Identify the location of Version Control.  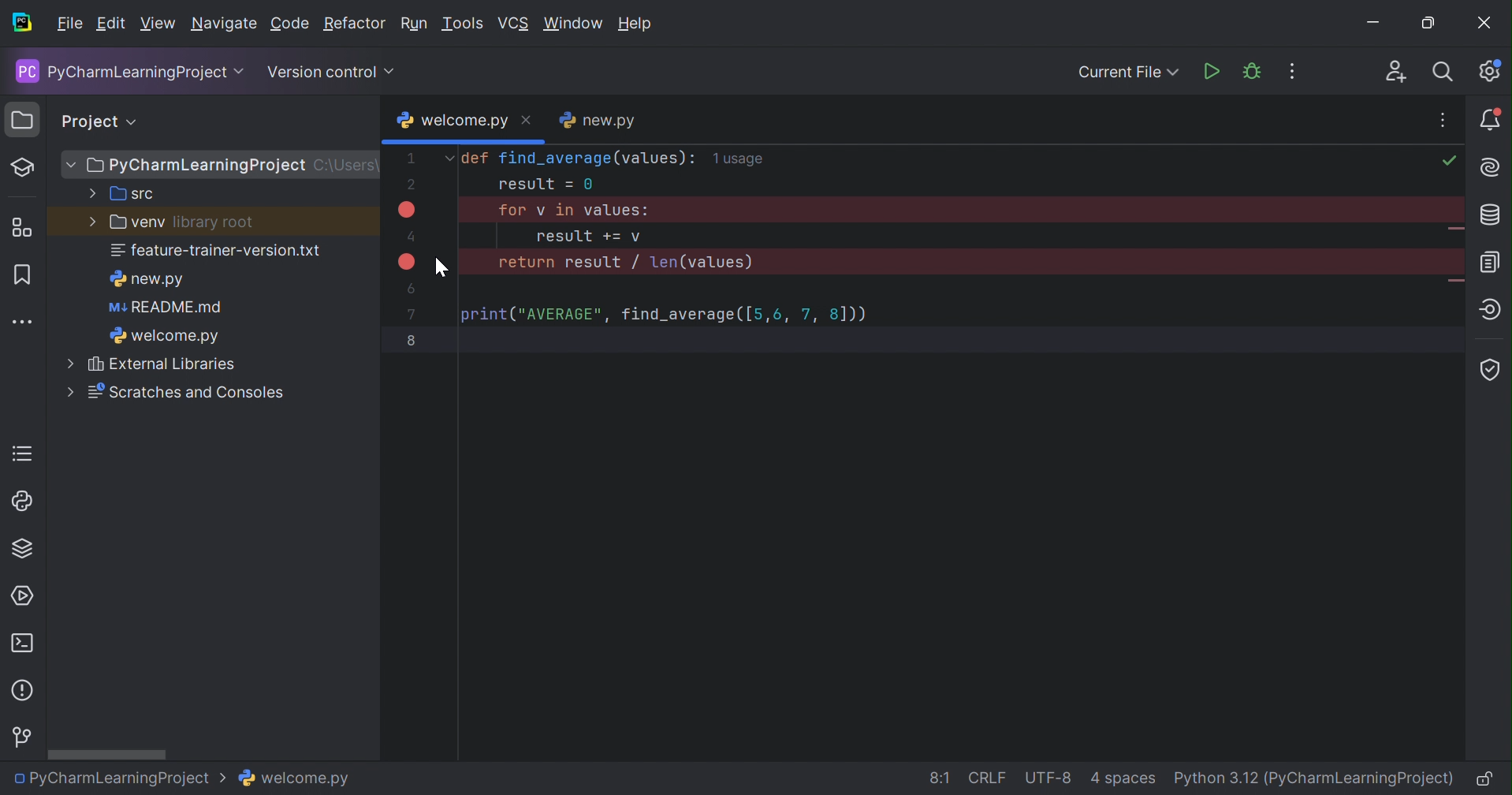
(21, 737).